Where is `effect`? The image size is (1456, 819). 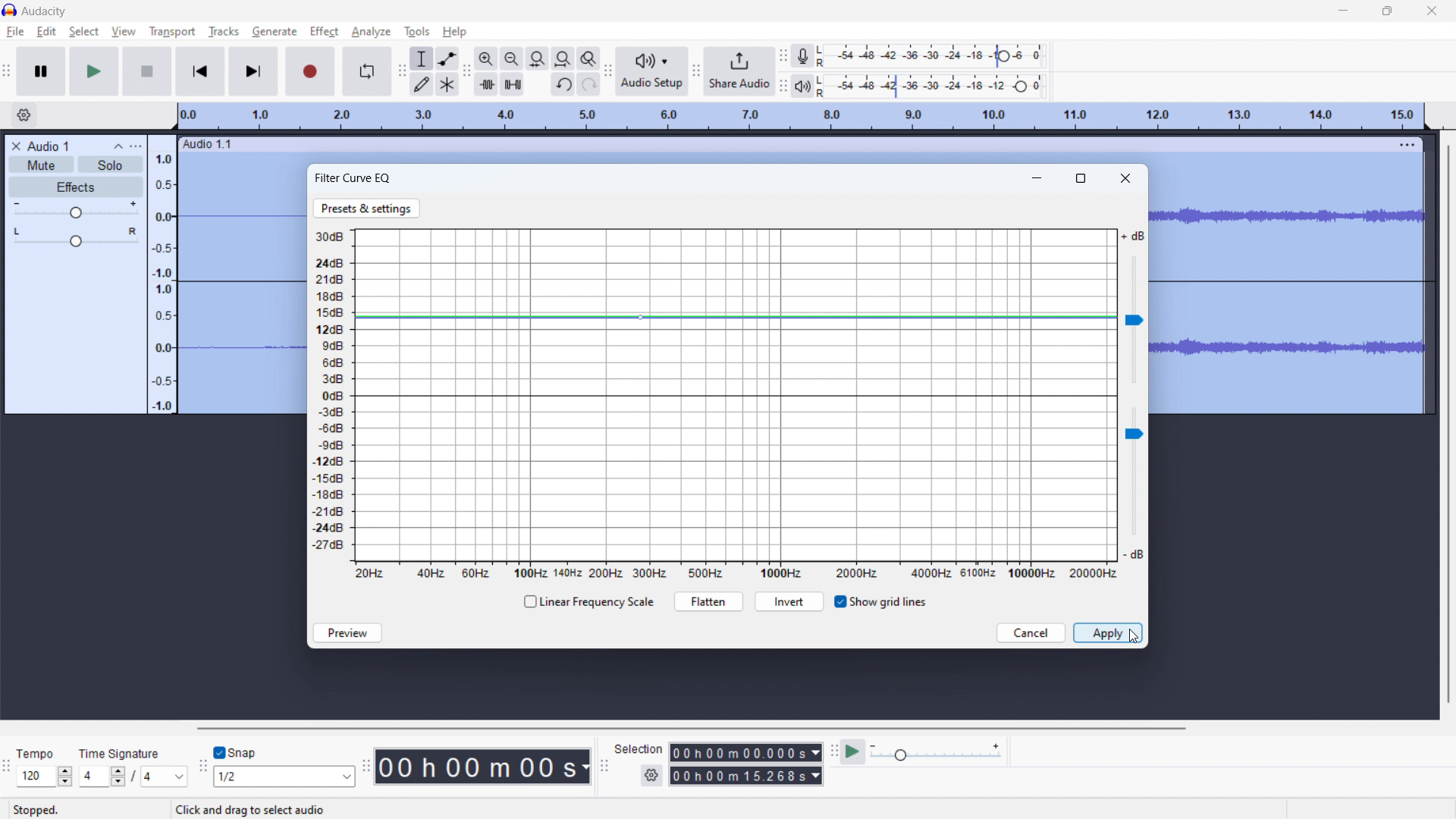
effect is located at coordinates (324, 32).